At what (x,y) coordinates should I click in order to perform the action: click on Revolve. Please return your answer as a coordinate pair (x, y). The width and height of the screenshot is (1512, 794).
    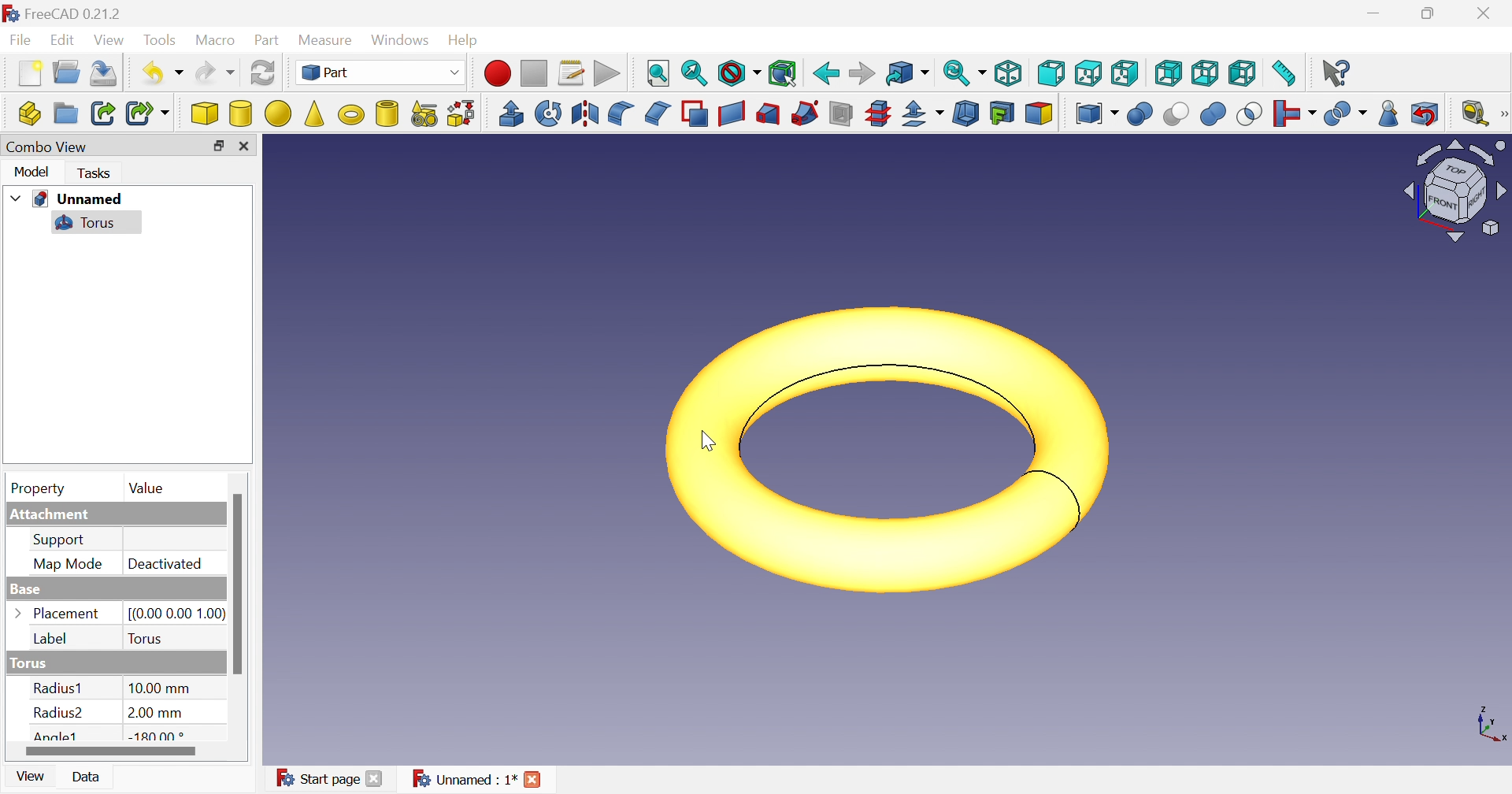
    Looking at the image, I should click on (547, 112).